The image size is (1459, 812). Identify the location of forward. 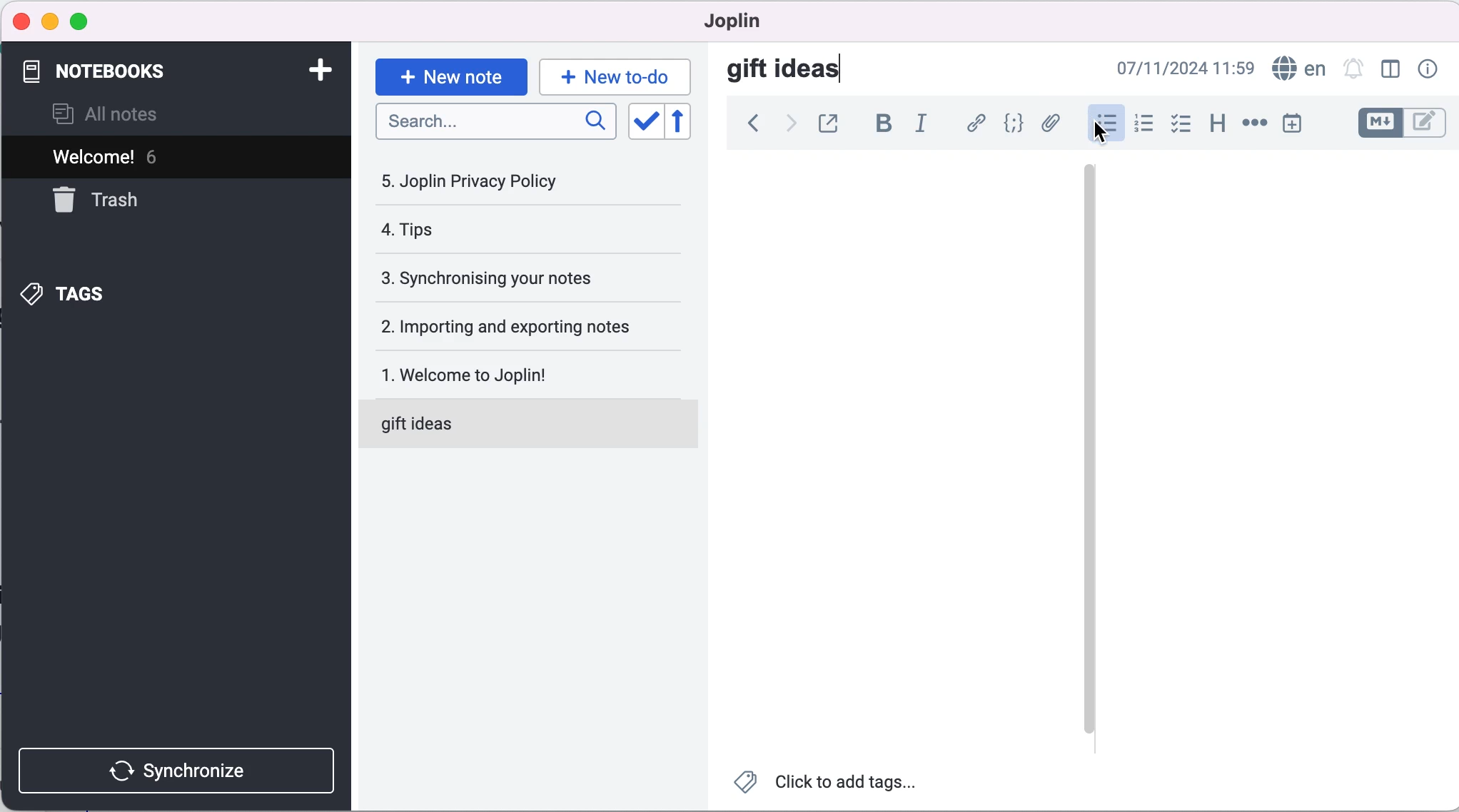
(787, 126).